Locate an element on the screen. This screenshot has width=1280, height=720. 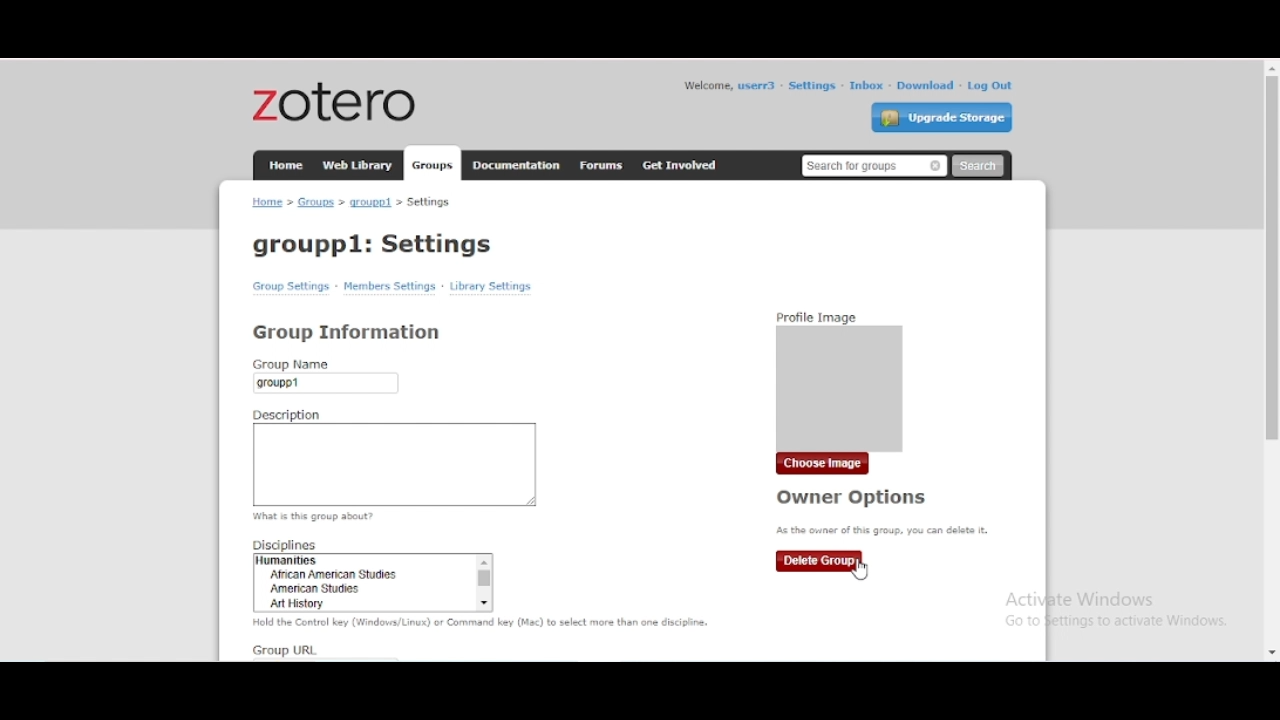
choose image is located at coordinates (822, 464).